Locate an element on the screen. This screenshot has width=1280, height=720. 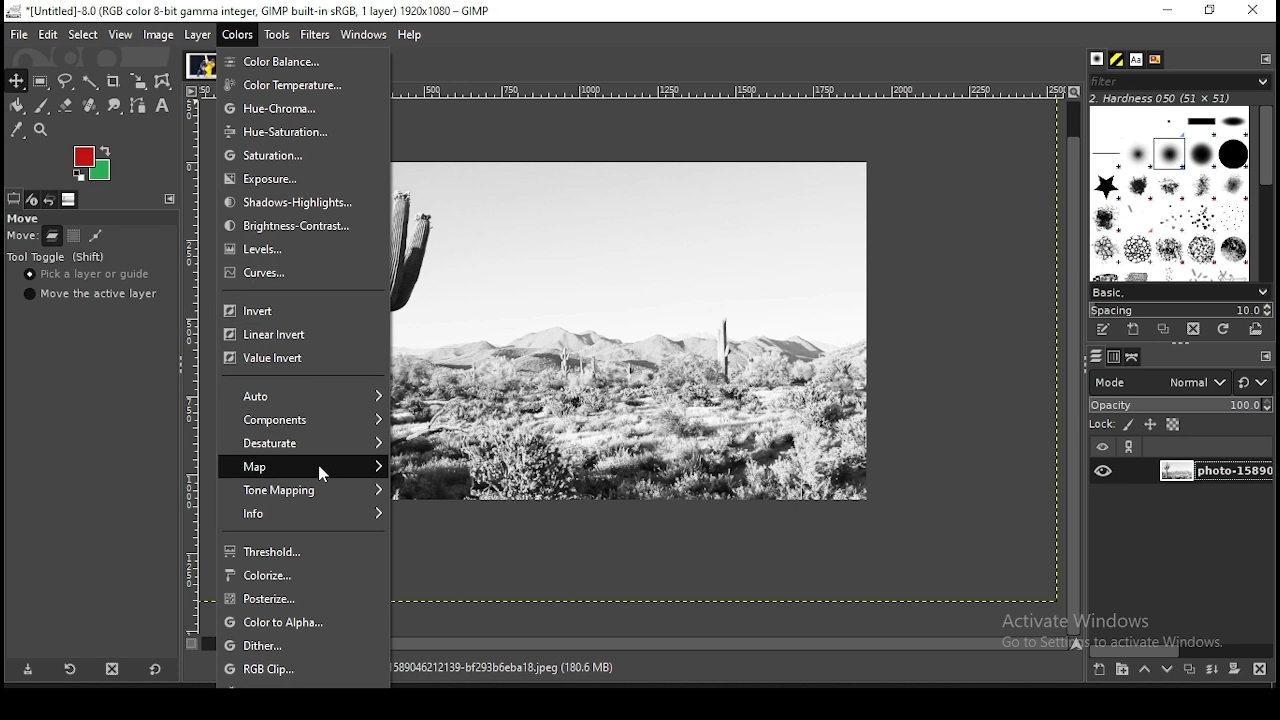
saturation is located at coordinates (289, 155).